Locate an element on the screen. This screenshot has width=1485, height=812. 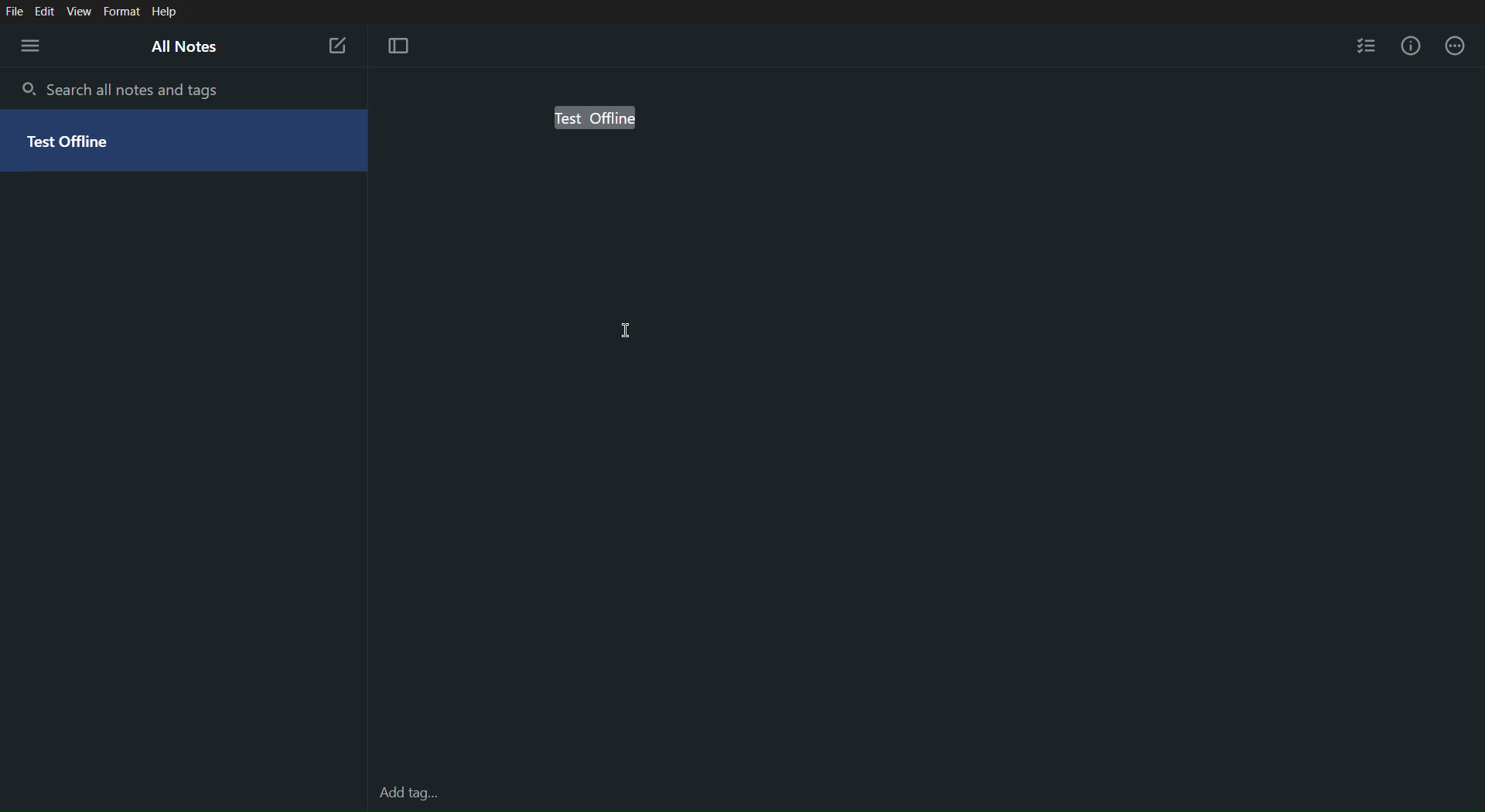
Cursor is located at coordinates (626, 329).